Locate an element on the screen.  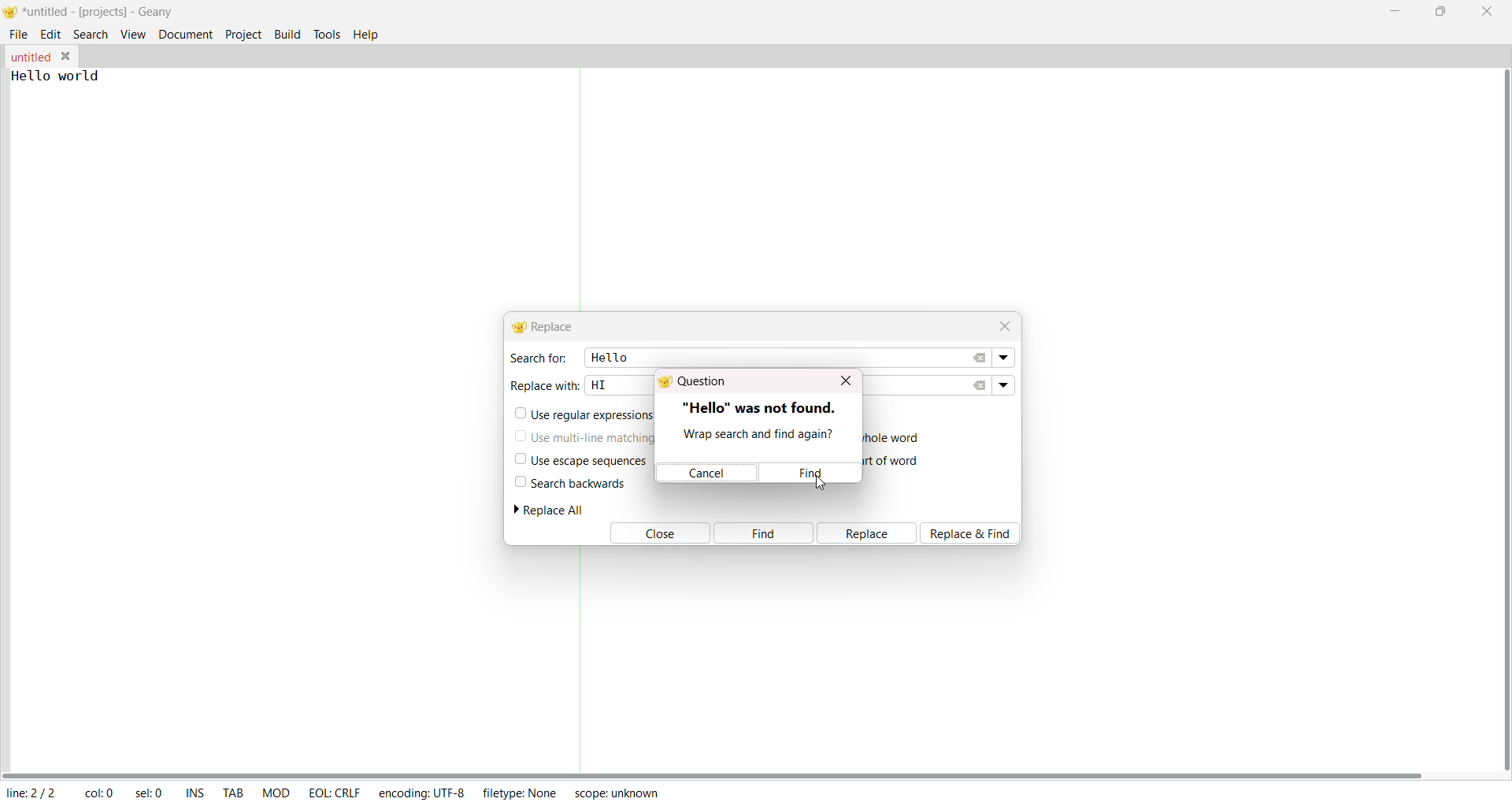
cancel is located at coordinates (709, 473).